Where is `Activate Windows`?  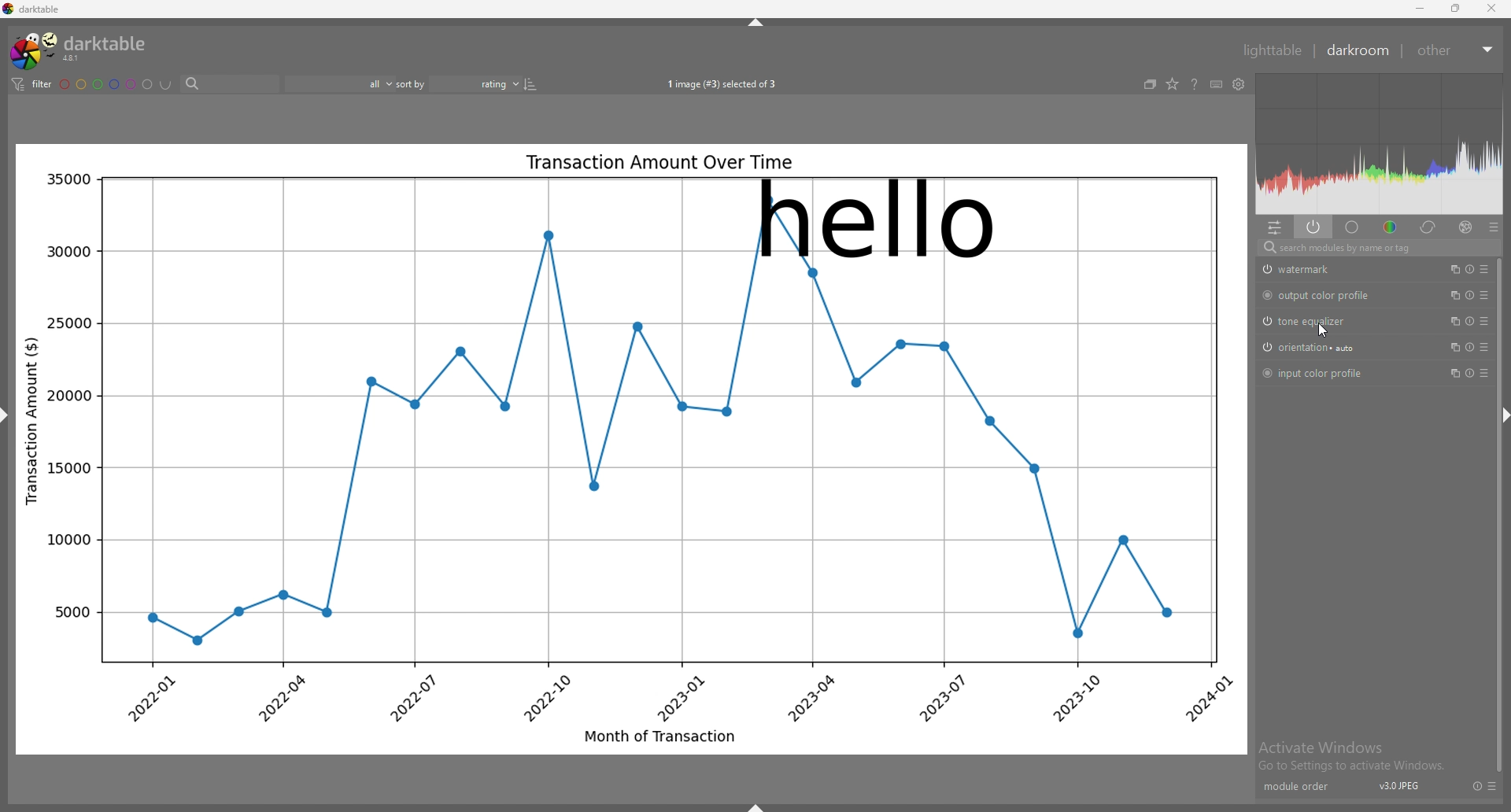 Activate Windows is located at coordinates (1321, 747).